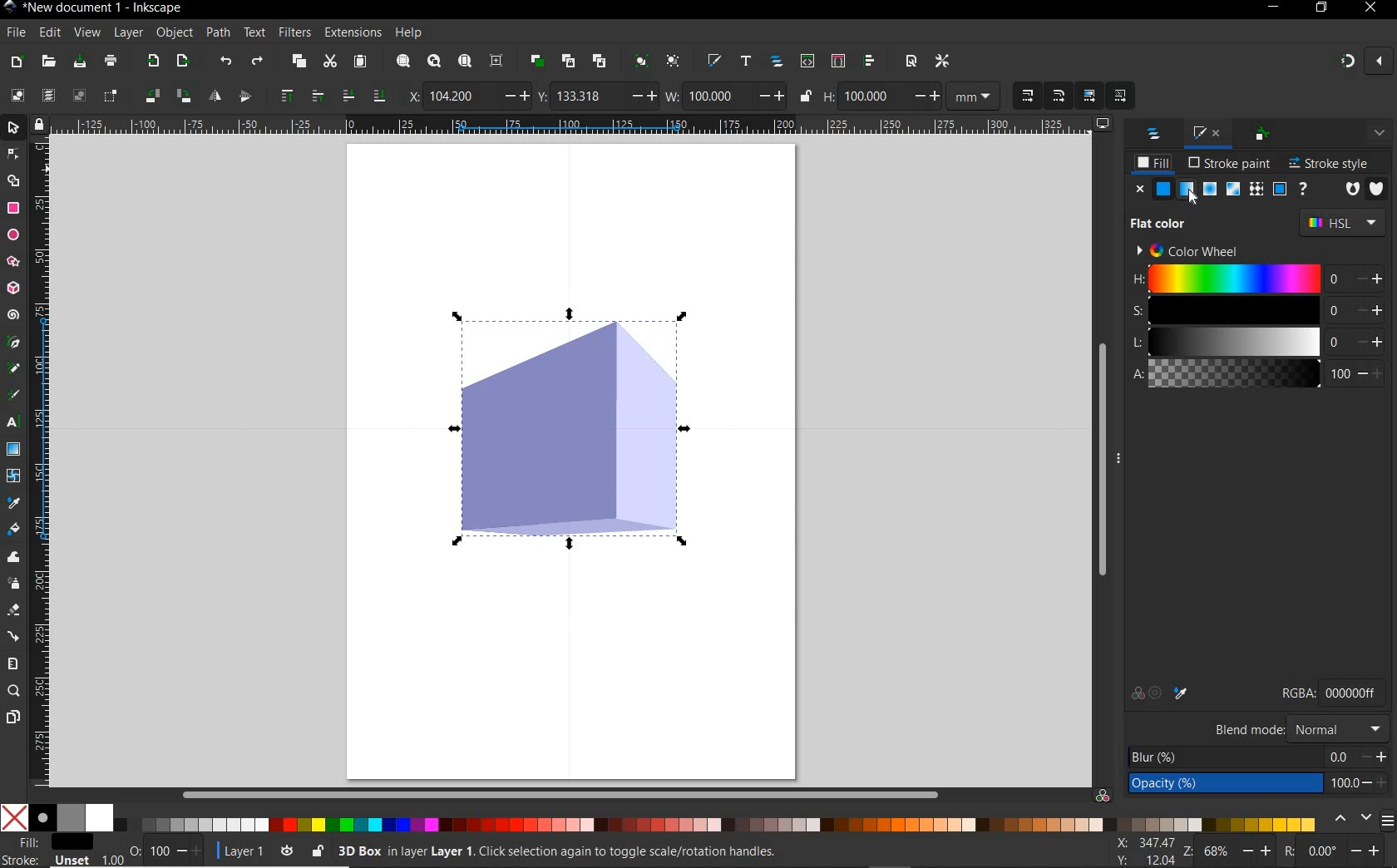 The width and height of the screenshot is (1397, 868). What do you see at coordinates (870, 96) in the screenshot?
I see `100` at bounding box center [870, 96].